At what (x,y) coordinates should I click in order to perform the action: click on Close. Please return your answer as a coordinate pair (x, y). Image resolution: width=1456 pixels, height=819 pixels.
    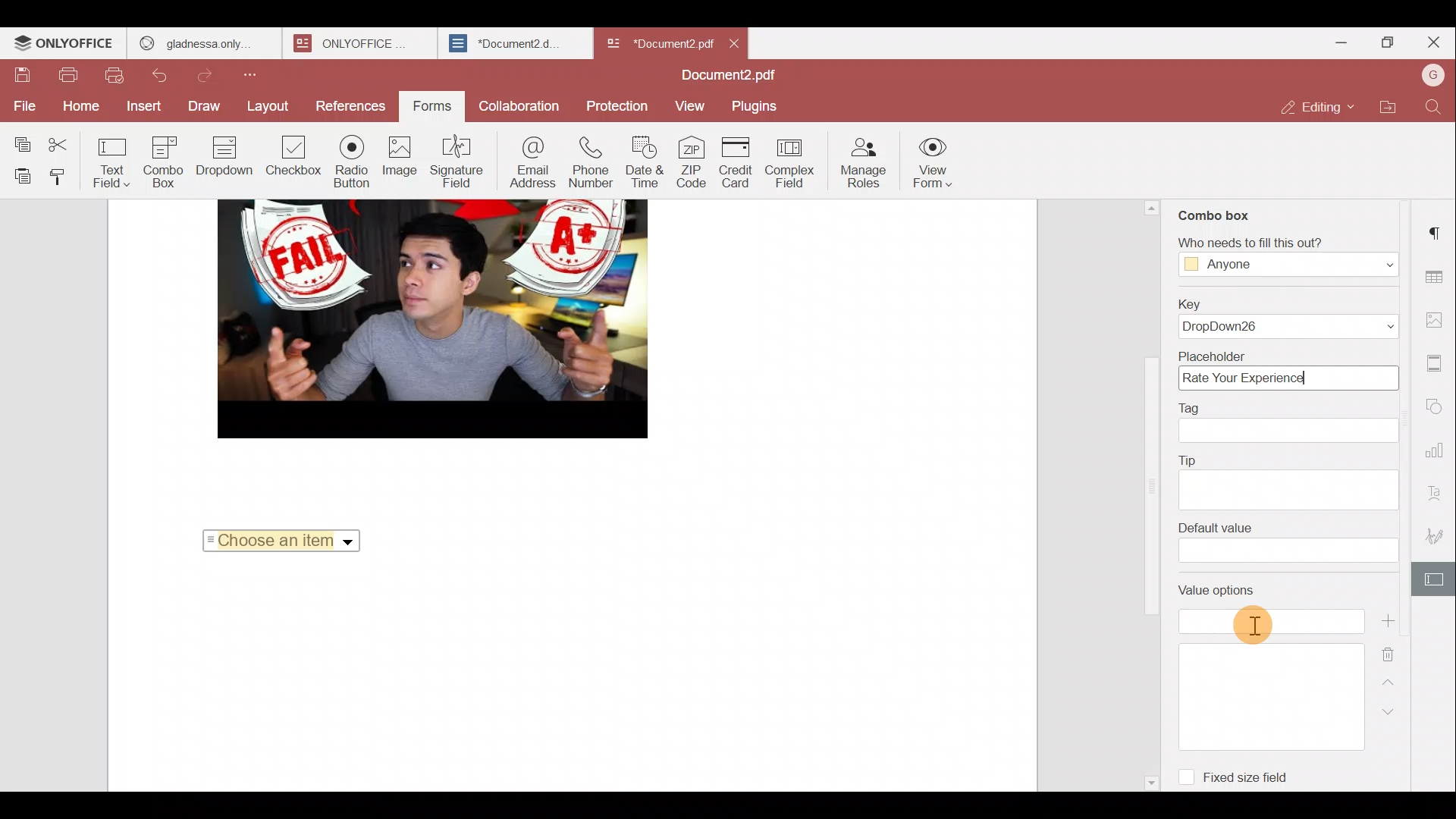
    Looking at the image, I should click on (1433, 42).